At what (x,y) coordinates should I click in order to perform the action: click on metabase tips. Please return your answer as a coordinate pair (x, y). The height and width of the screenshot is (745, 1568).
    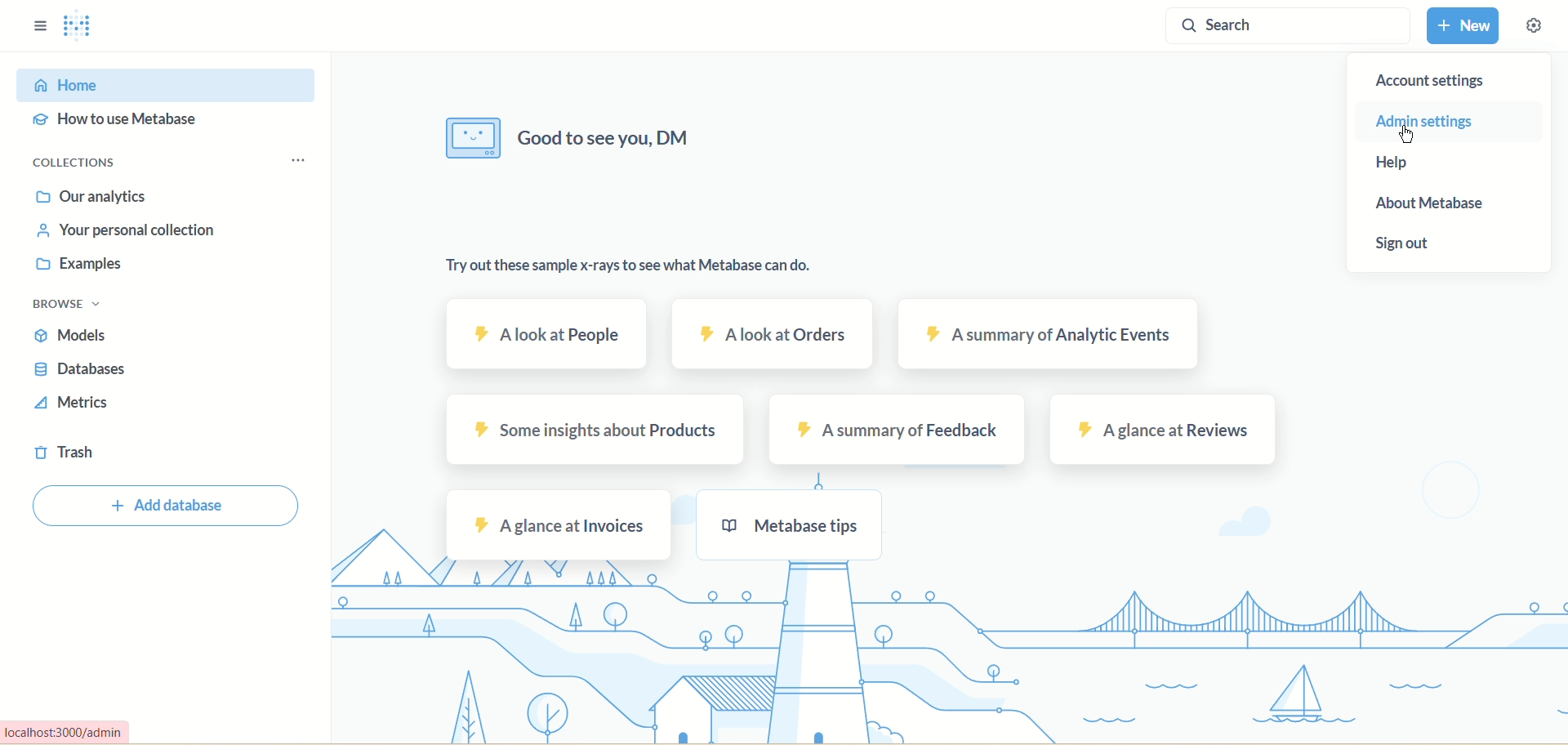
    Looking at the image, I should click on (787, 524).